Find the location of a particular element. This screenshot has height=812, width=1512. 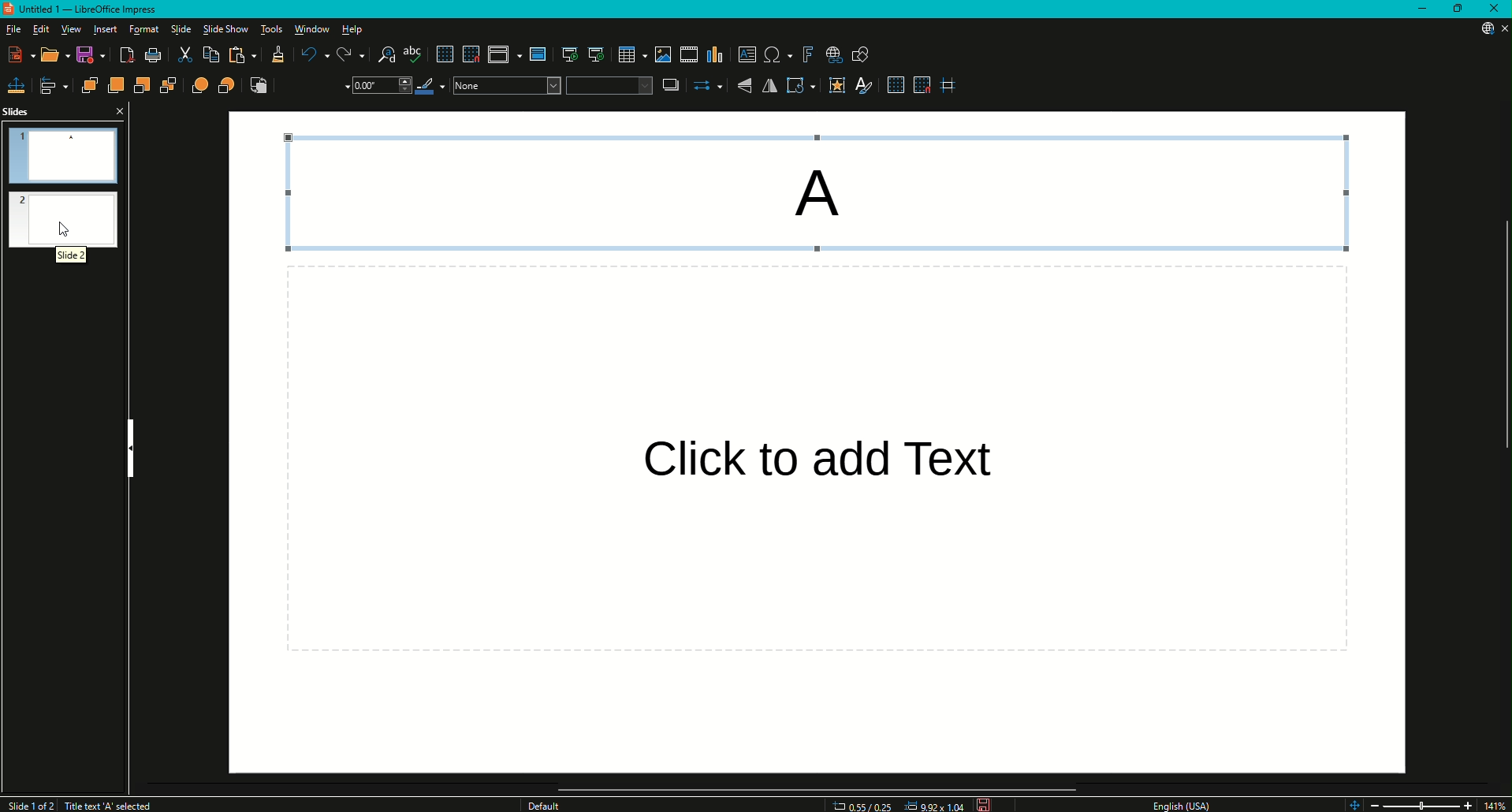

 is located at coordinates (547, 806).